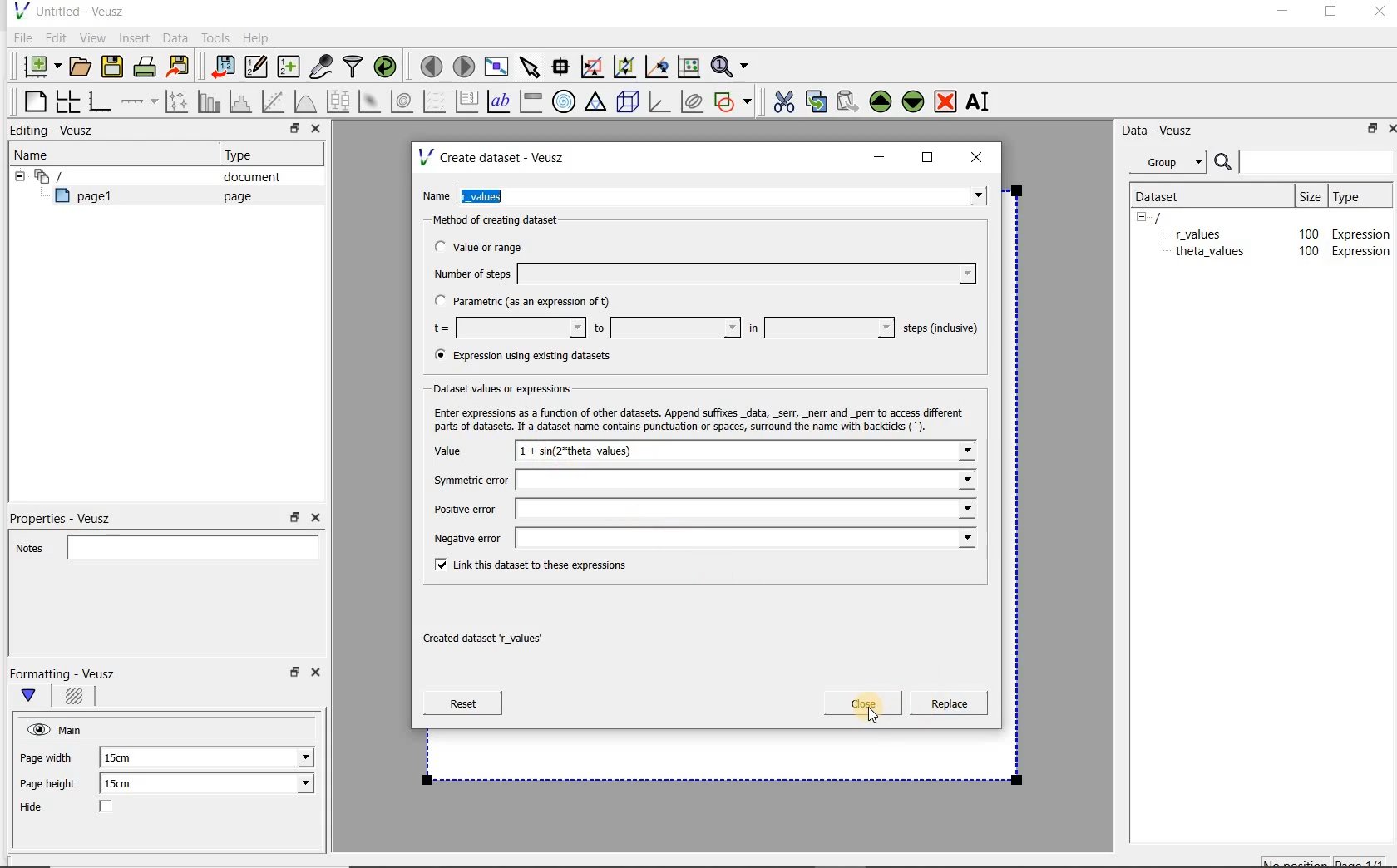  Describe the element at coordinates (179, 68) in the screenshot. I see `Export to graphics format` at that location.